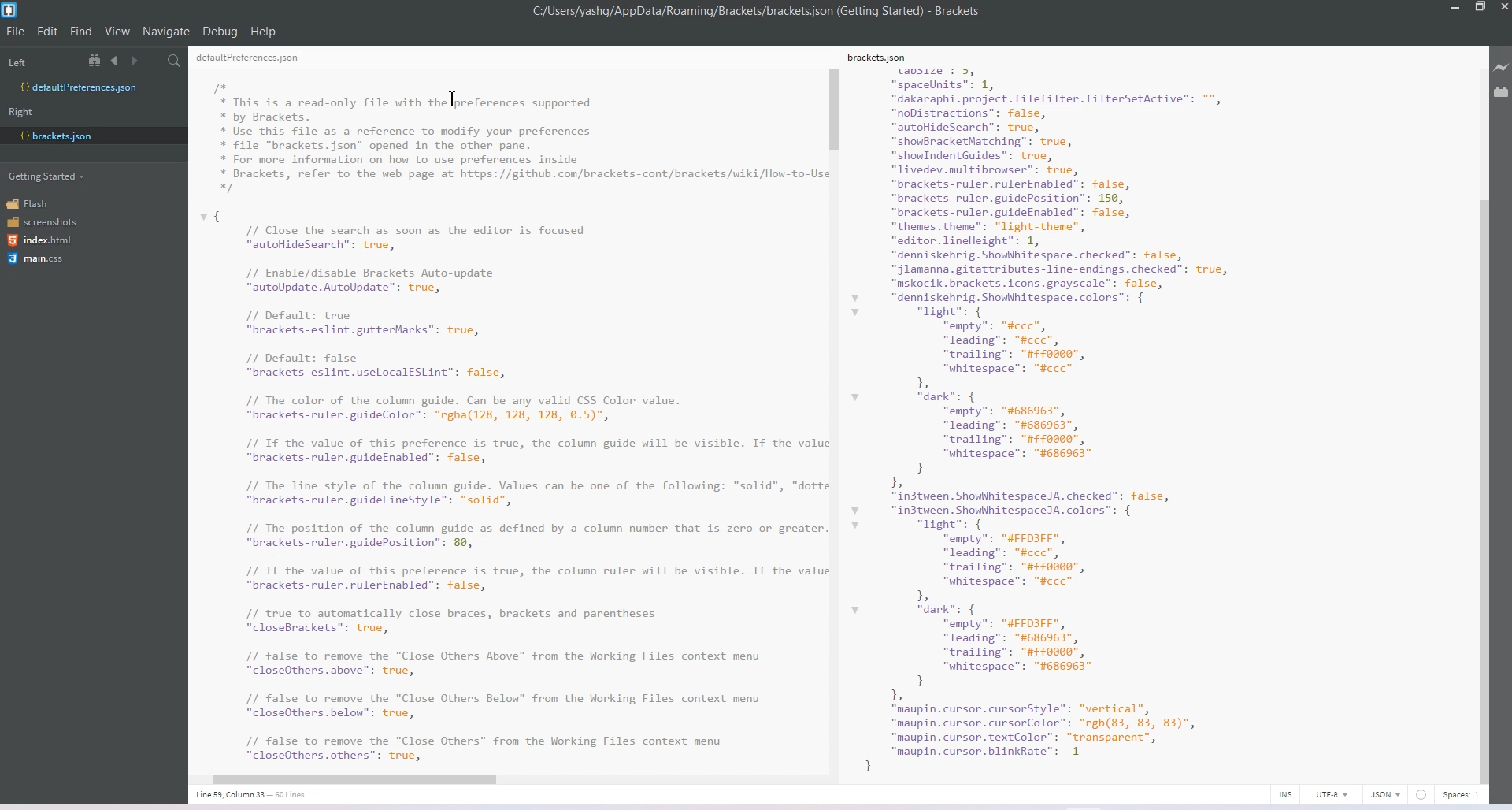  What do you see at coordinates (1502, 95) in the screenshot?
I see `Extension Manager` at bounding box center [1502, 95].